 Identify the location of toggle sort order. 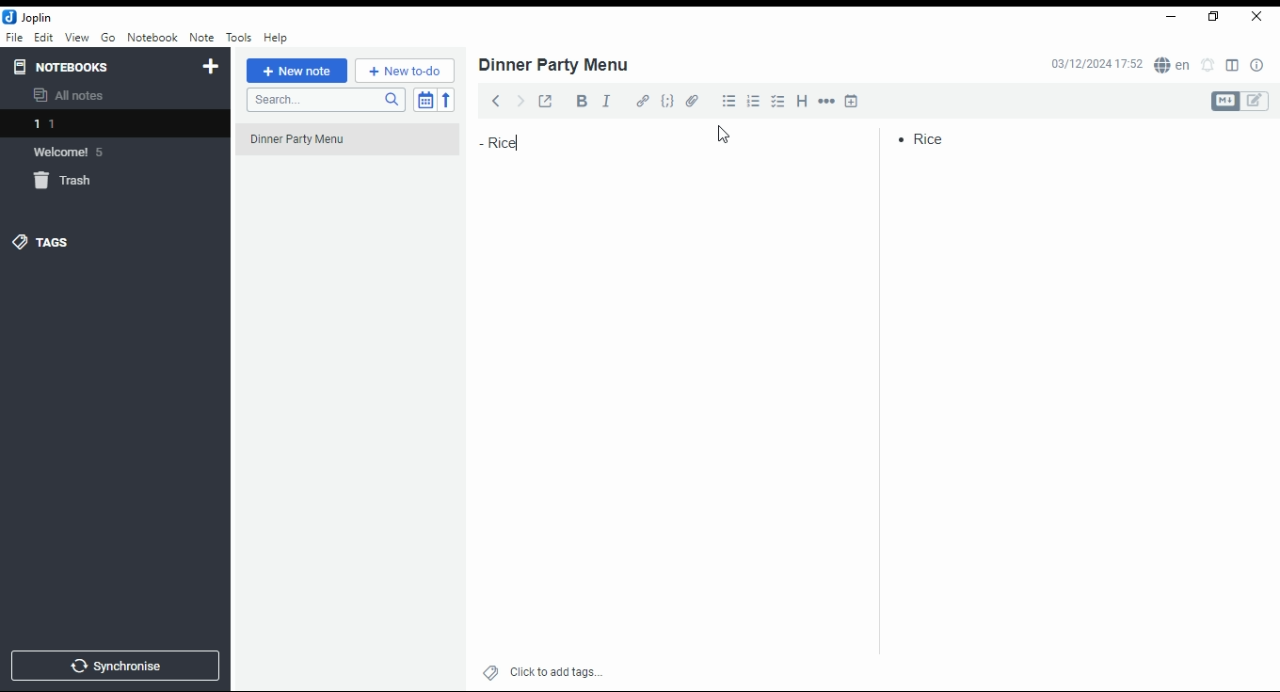
(424, 99).